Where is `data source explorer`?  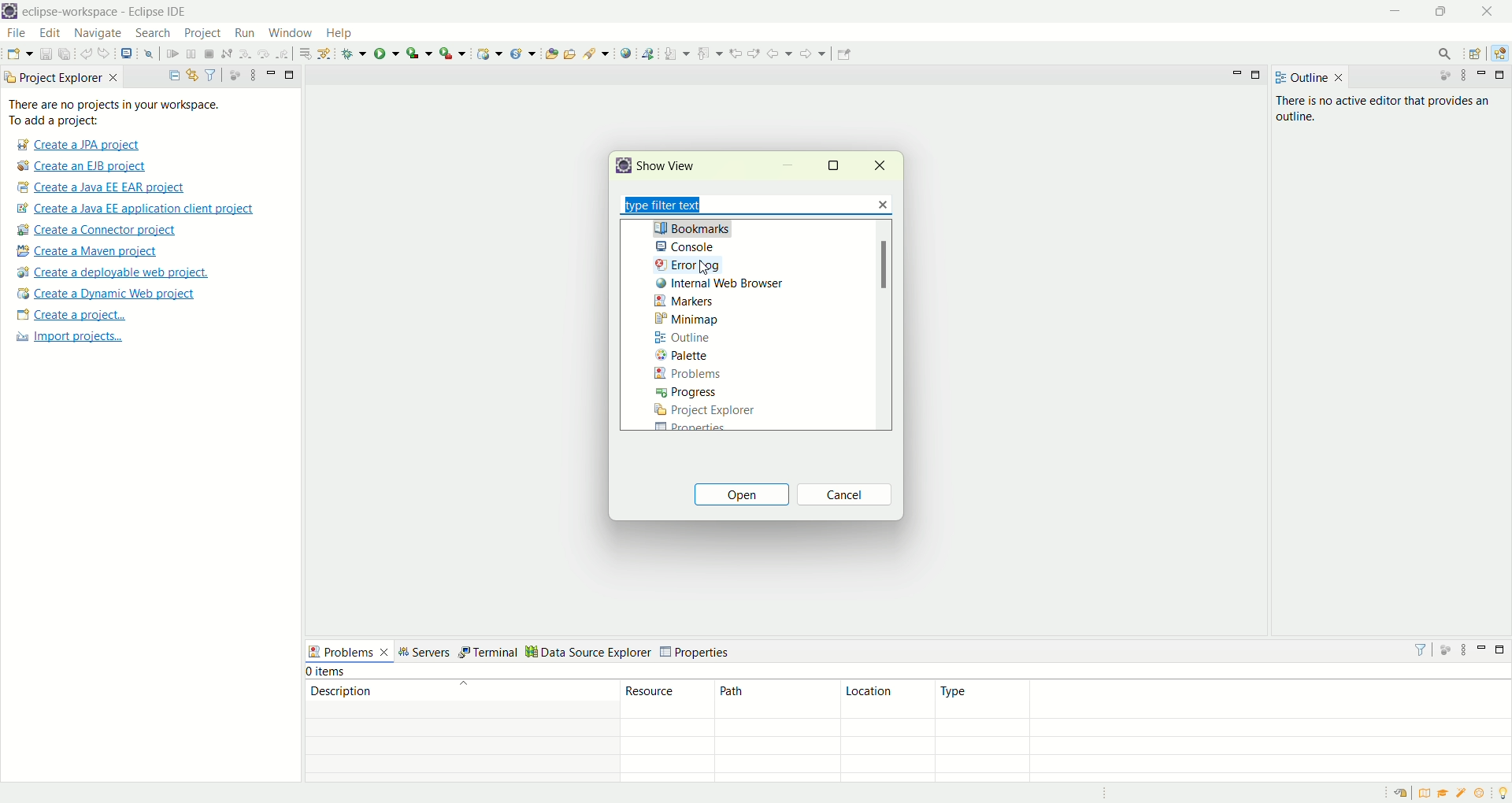 data source explorer is located at coordinates (587, 649).